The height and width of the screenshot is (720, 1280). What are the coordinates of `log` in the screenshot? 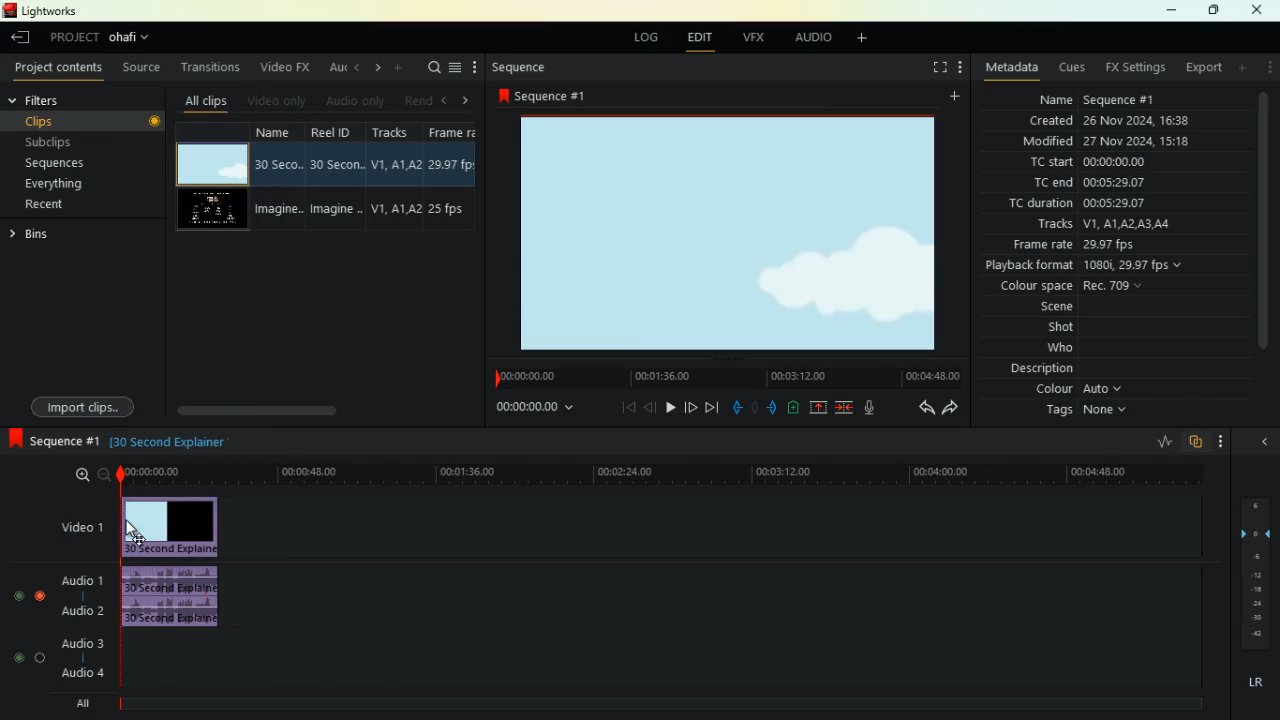 It's located at (649, 38).